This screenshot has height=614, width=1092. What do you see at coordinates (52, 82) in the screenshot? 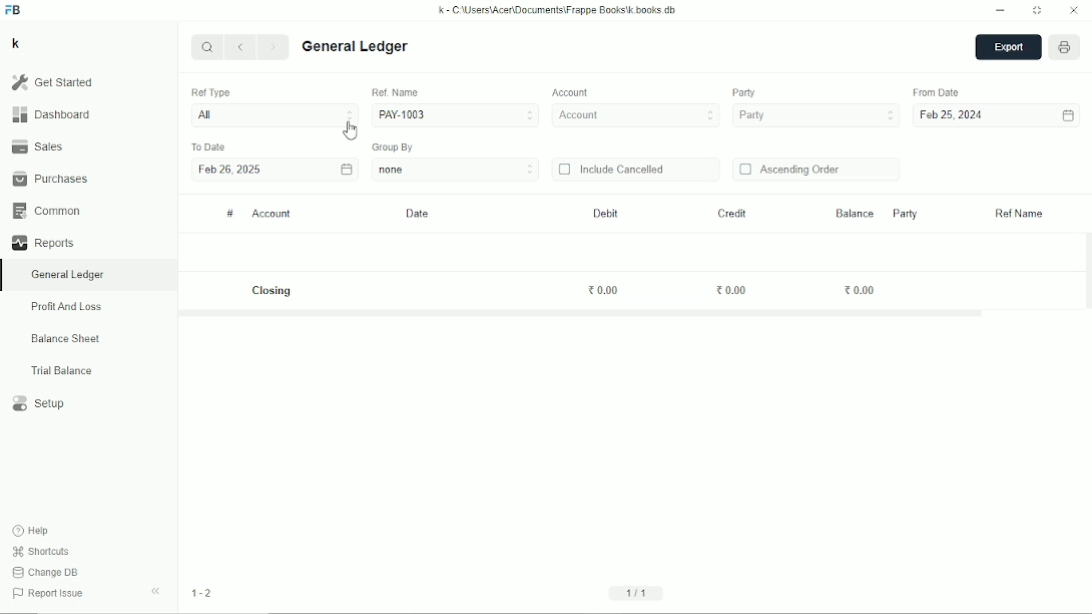
I see `Get started` at bounding box center [52, 82].